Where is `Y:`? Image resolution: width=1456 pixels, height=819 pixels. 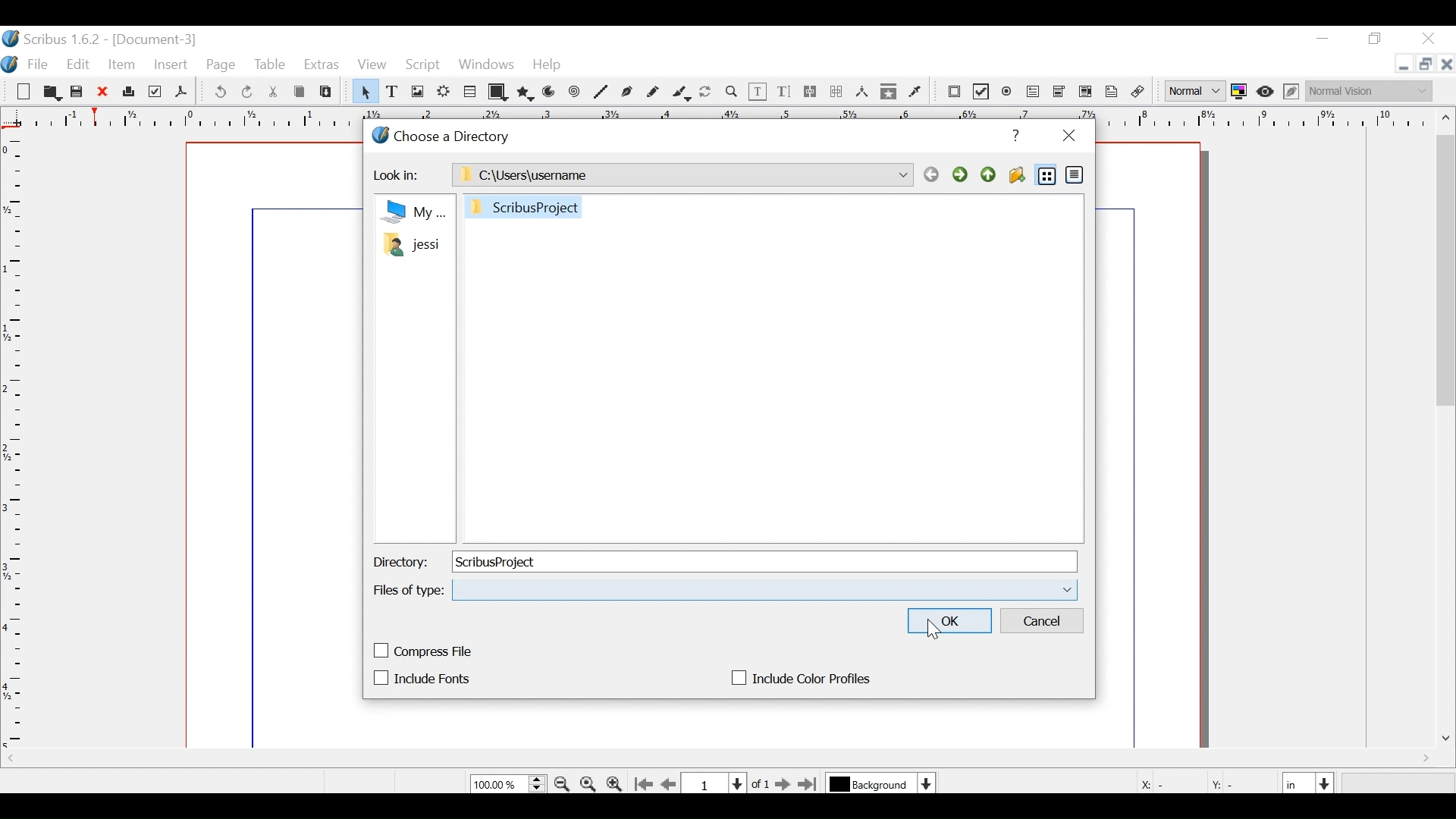 Y: is located at coordinates (1220, 782).